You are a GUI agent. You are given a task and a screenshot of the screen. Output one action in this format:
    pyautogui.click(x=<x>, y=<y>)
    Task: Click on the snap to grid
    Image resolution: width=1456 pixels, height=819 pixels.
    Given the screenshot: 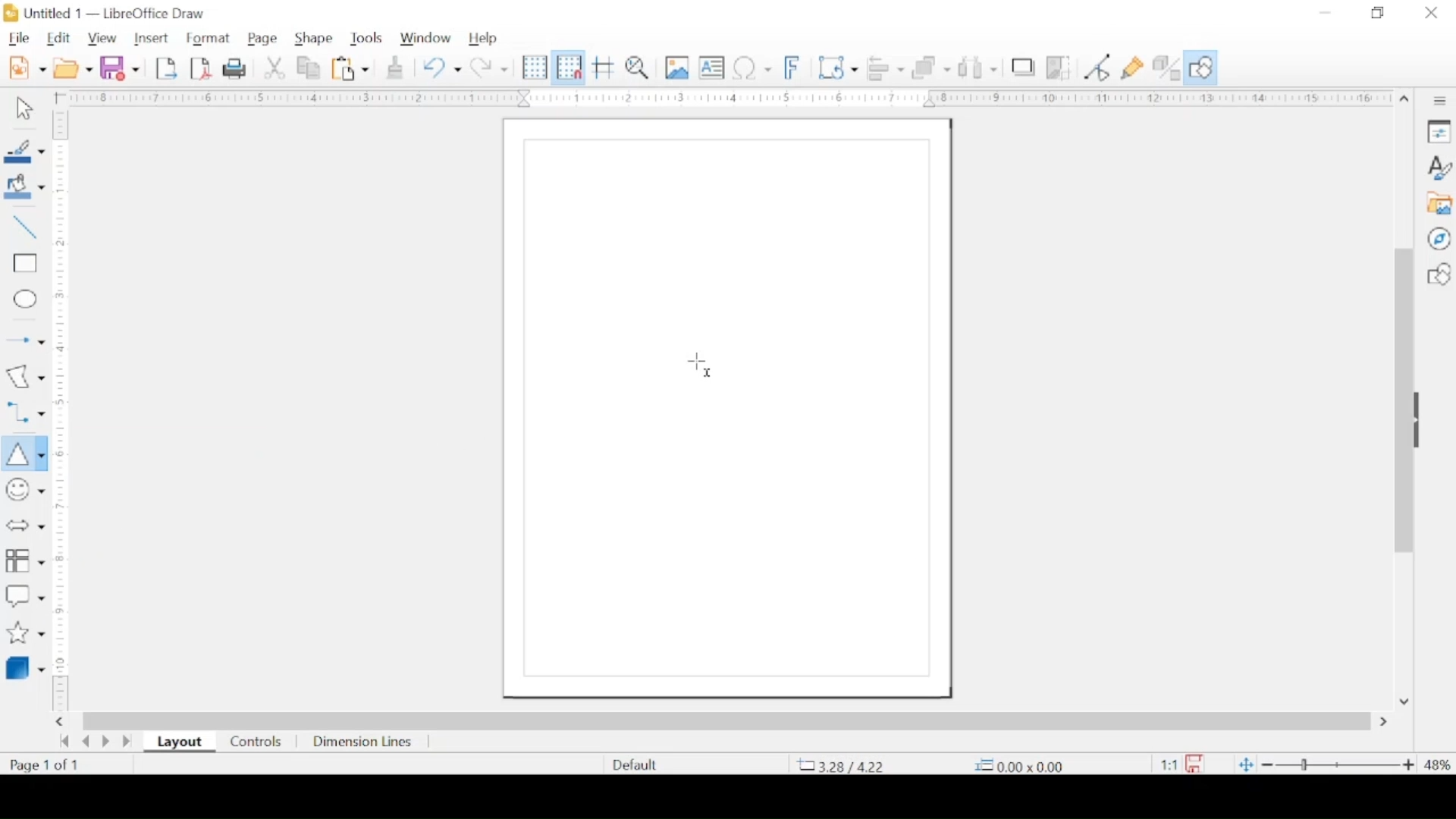 What is the action you would take?
    pyautogui.click(x=568, y=67)
    